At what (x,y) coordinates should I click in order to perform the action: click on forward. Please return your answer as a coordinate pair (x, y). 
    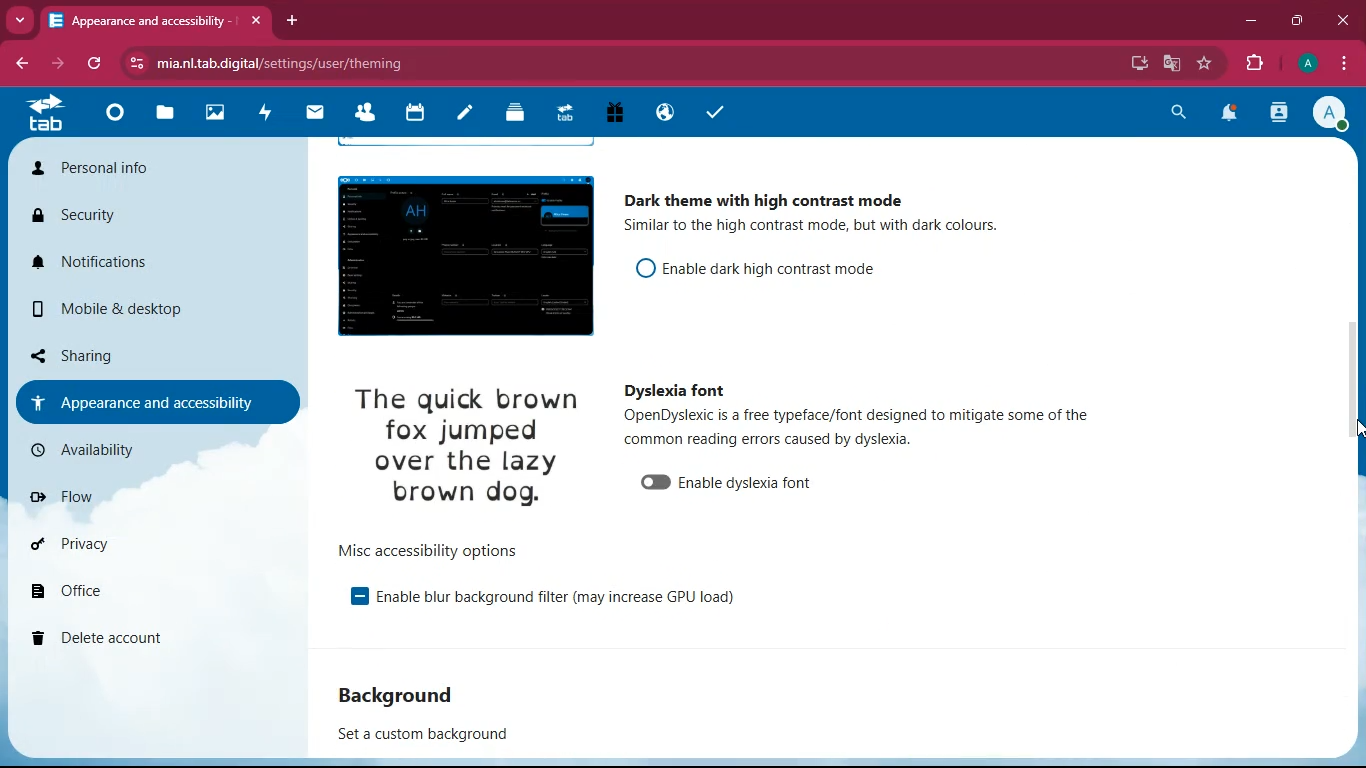
    Looking at the image, I should click on (60, 63).